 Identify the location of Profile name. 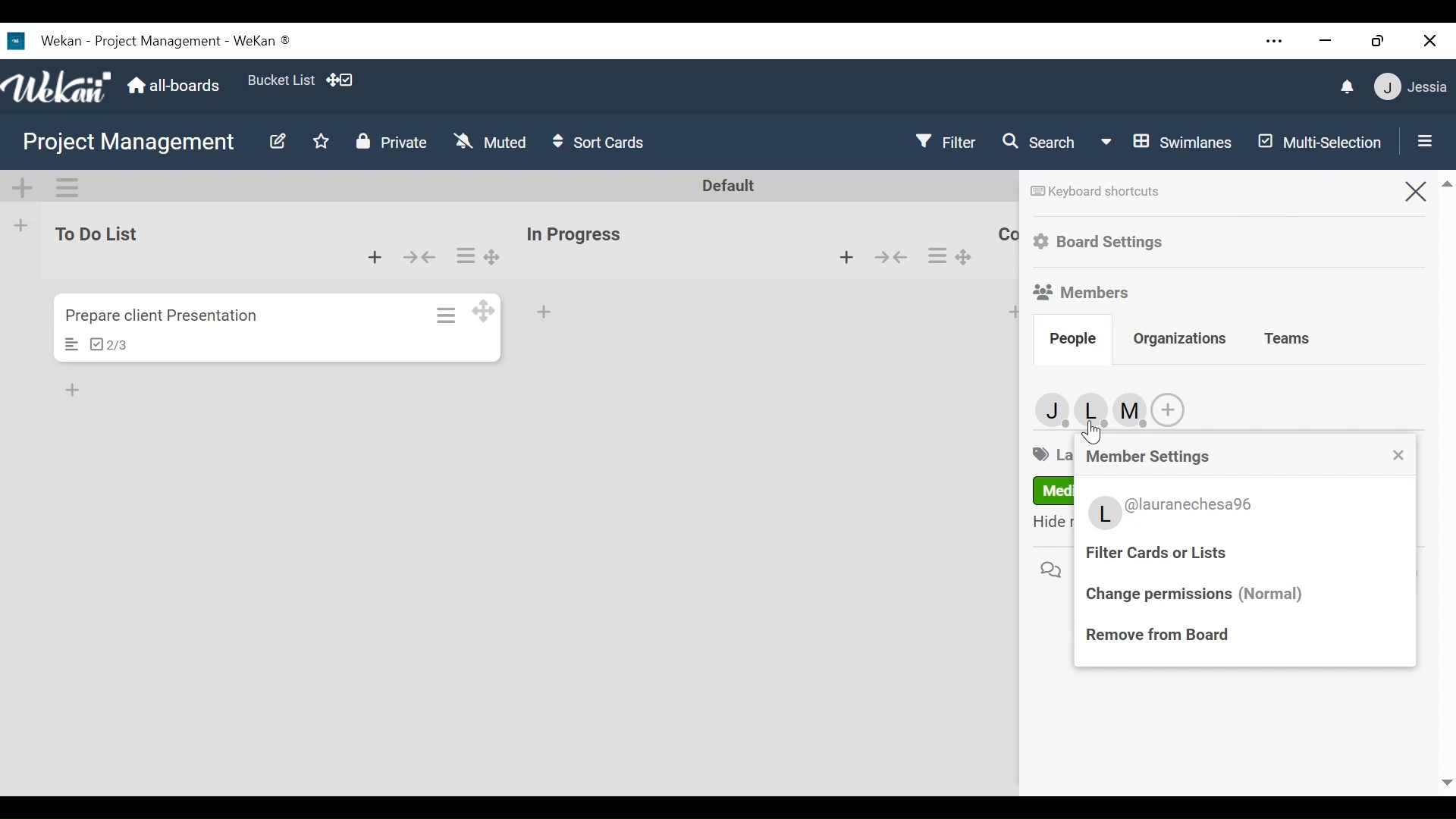
(1194, 506).